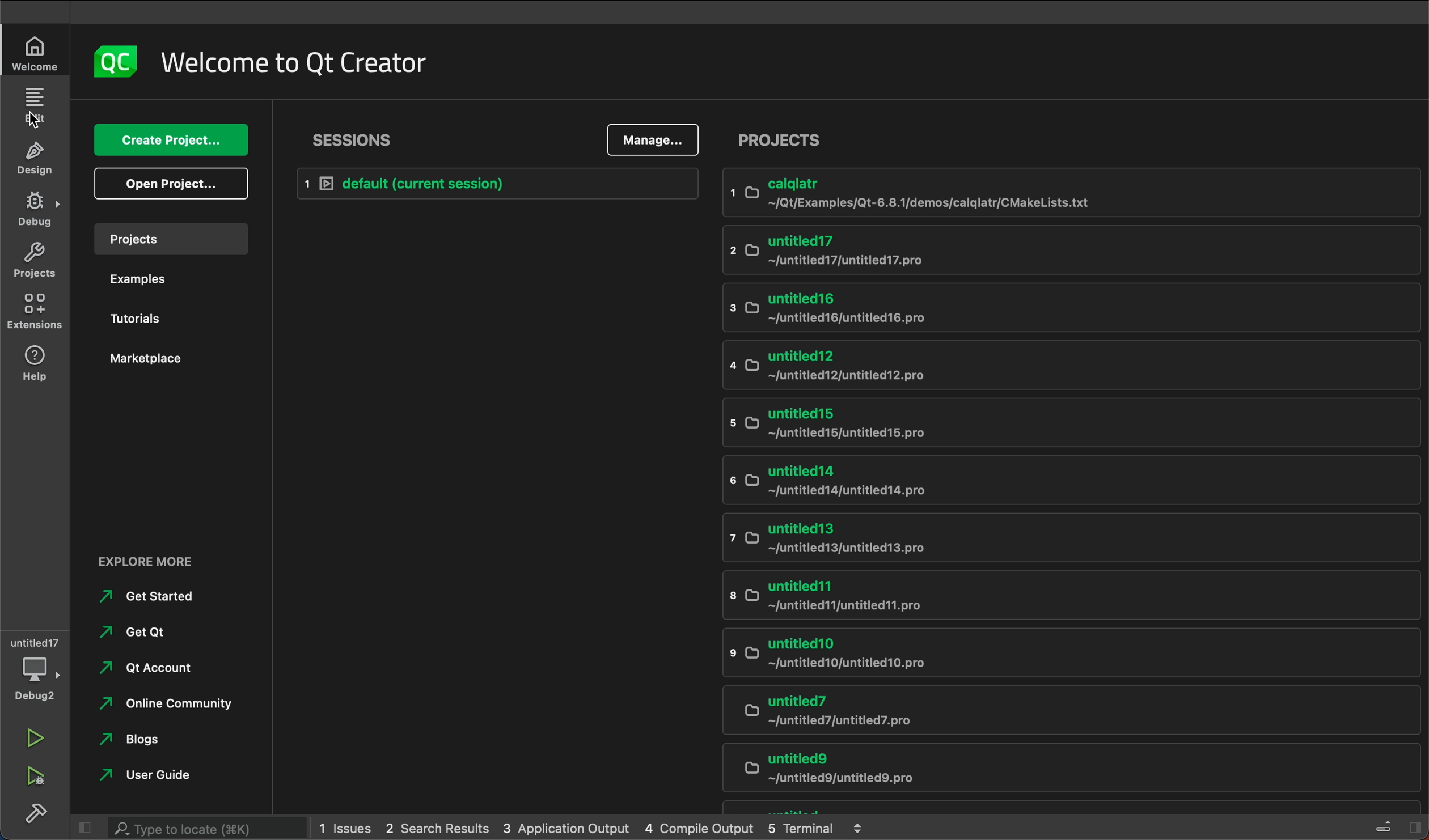 The width and height of the screenshot is (1429, 840). Describe the element at coordinates (1062, 133) in the screenshot. I see `projects` at that location.